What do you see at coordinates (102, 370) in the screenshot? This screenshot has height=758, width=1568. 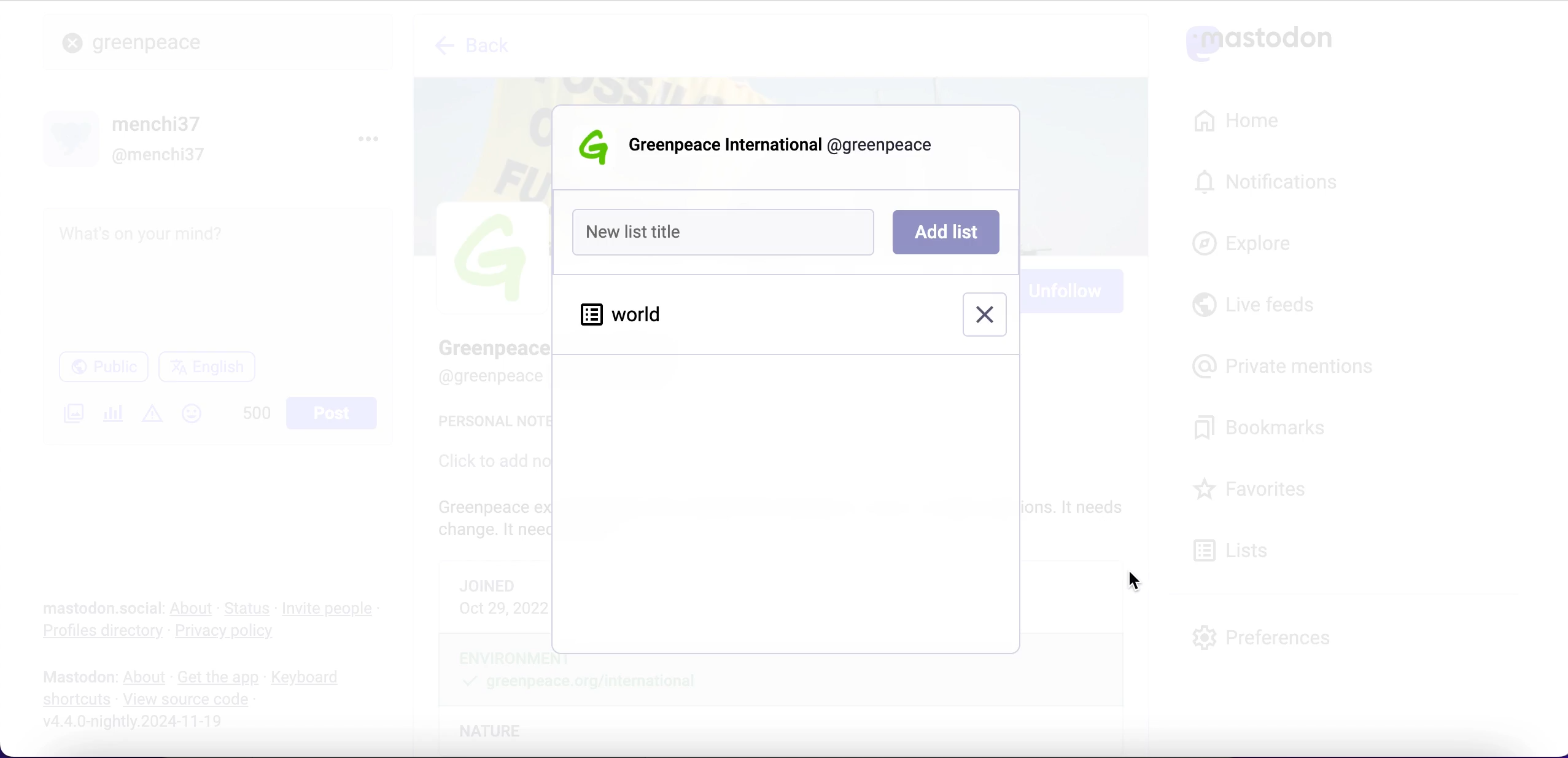 I see `public` at bounding box center [102, 370].